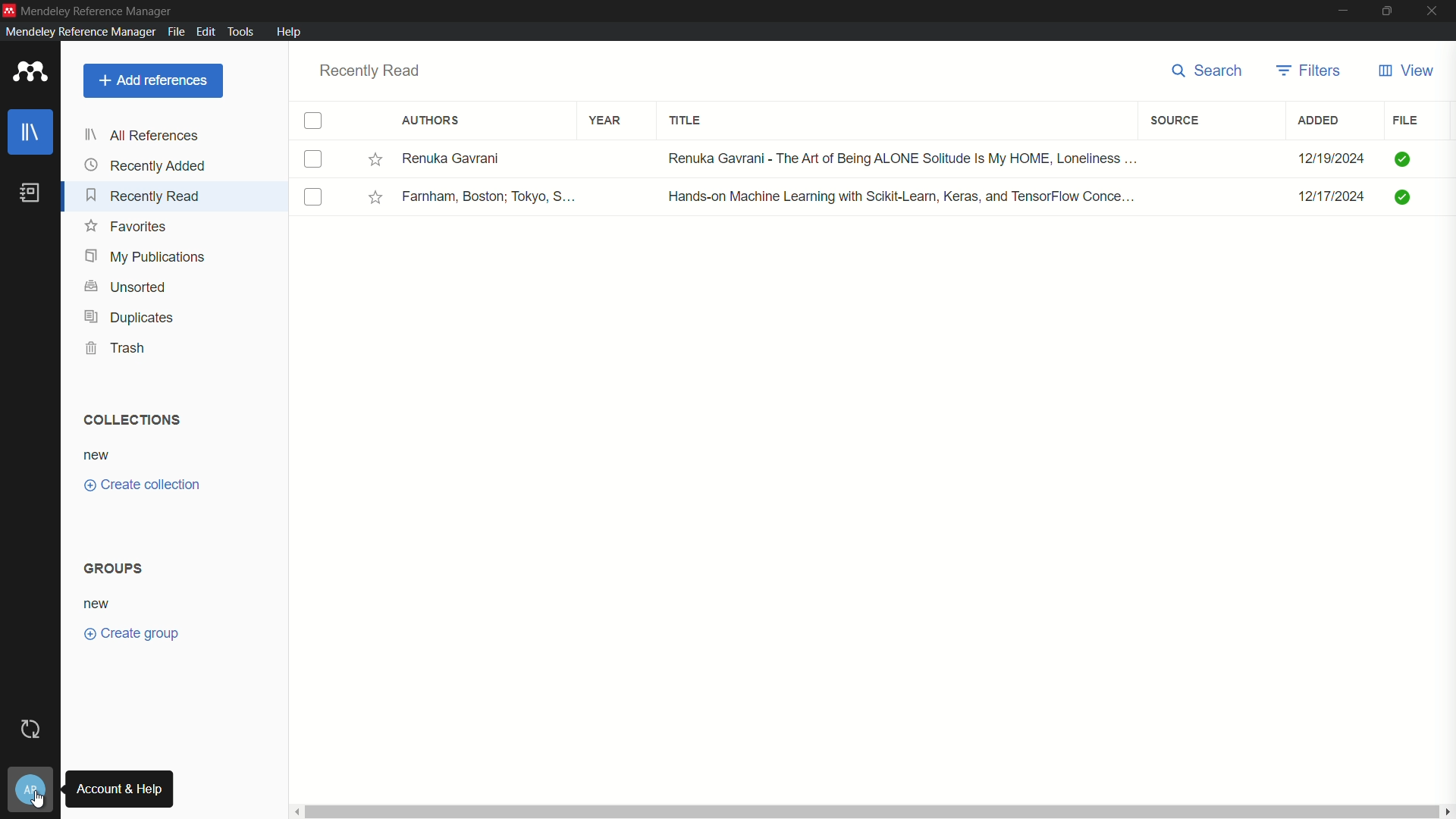  I want to click on account and help, so click(32, 789).